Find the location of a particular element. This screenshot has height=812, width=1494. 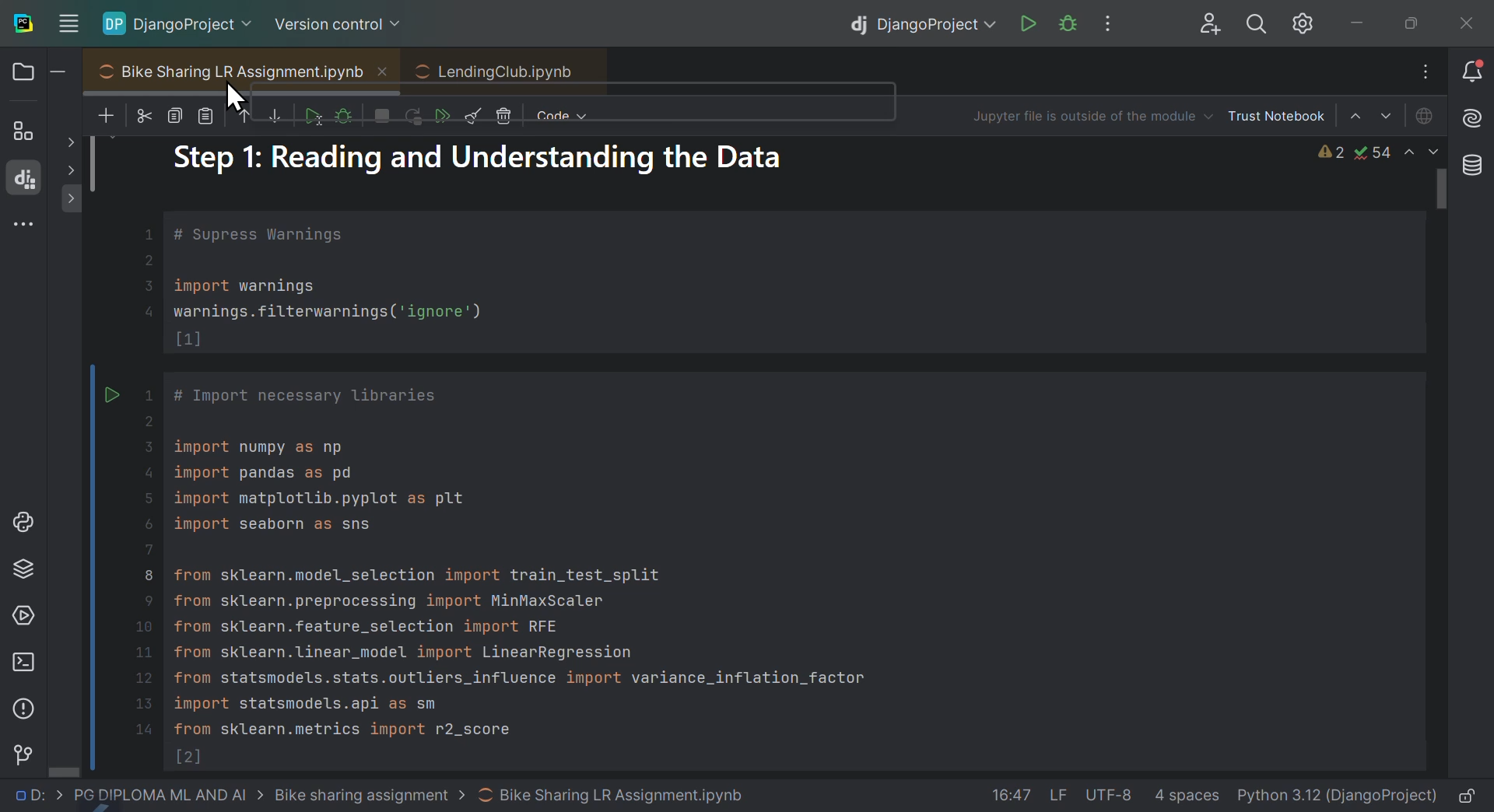

Services is located at coordinates (23, 619).